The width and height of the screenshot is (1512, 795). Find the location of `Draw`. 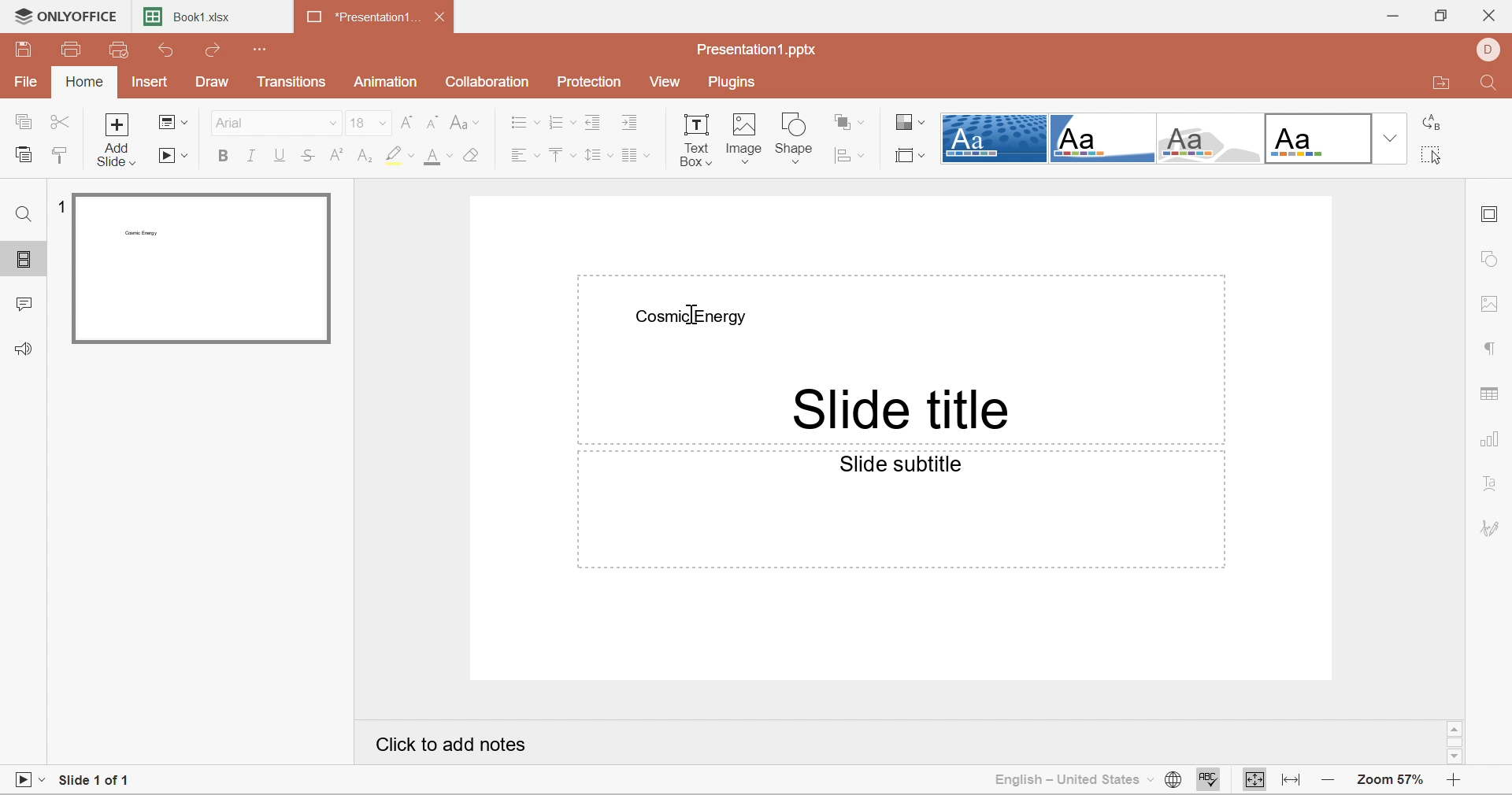

Draw is located at coordinates (212, 83).